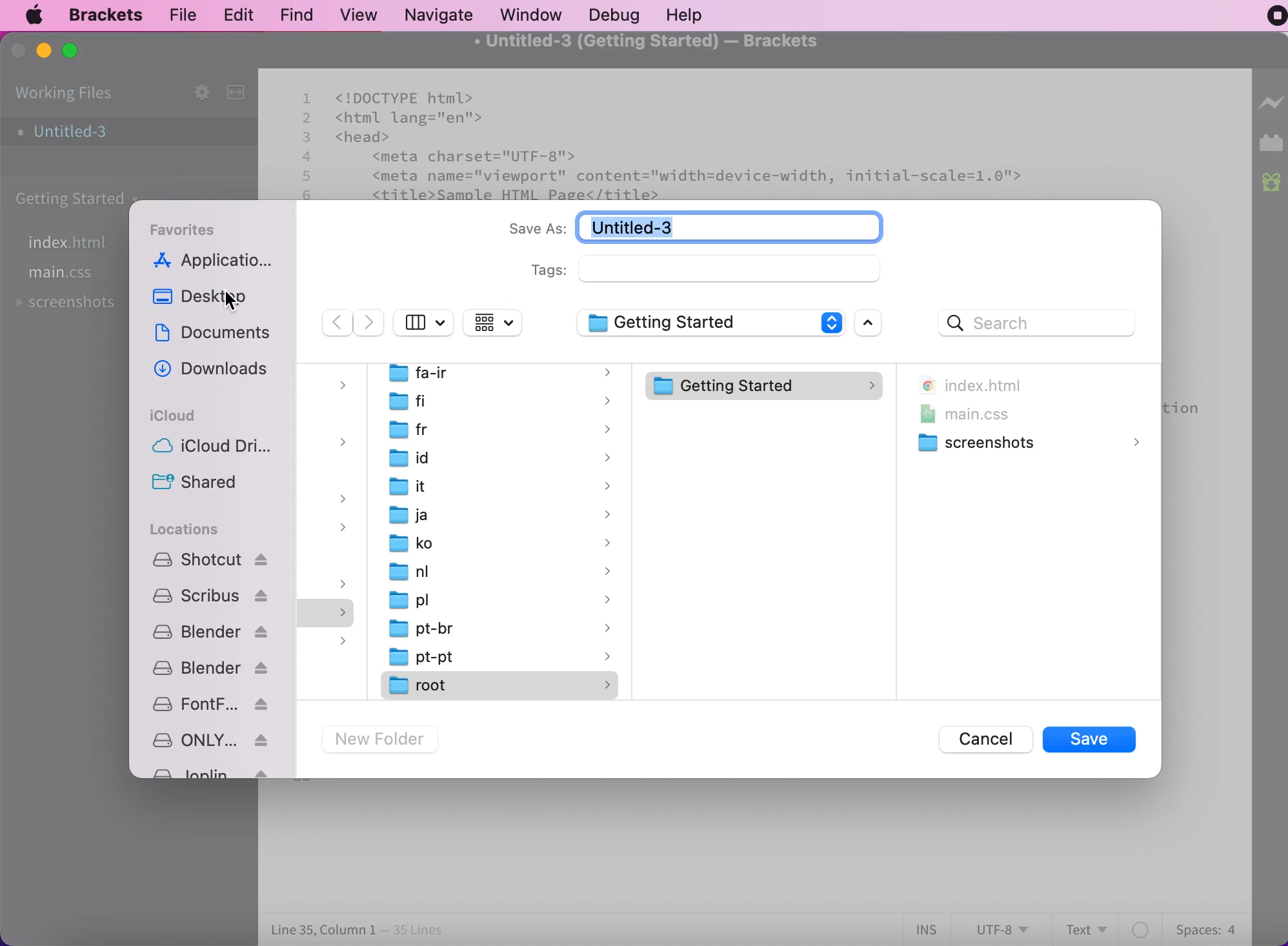 Image resolution: width=1288 pixels, height=946 pixels. I want to click on color, so click(1141, 927).